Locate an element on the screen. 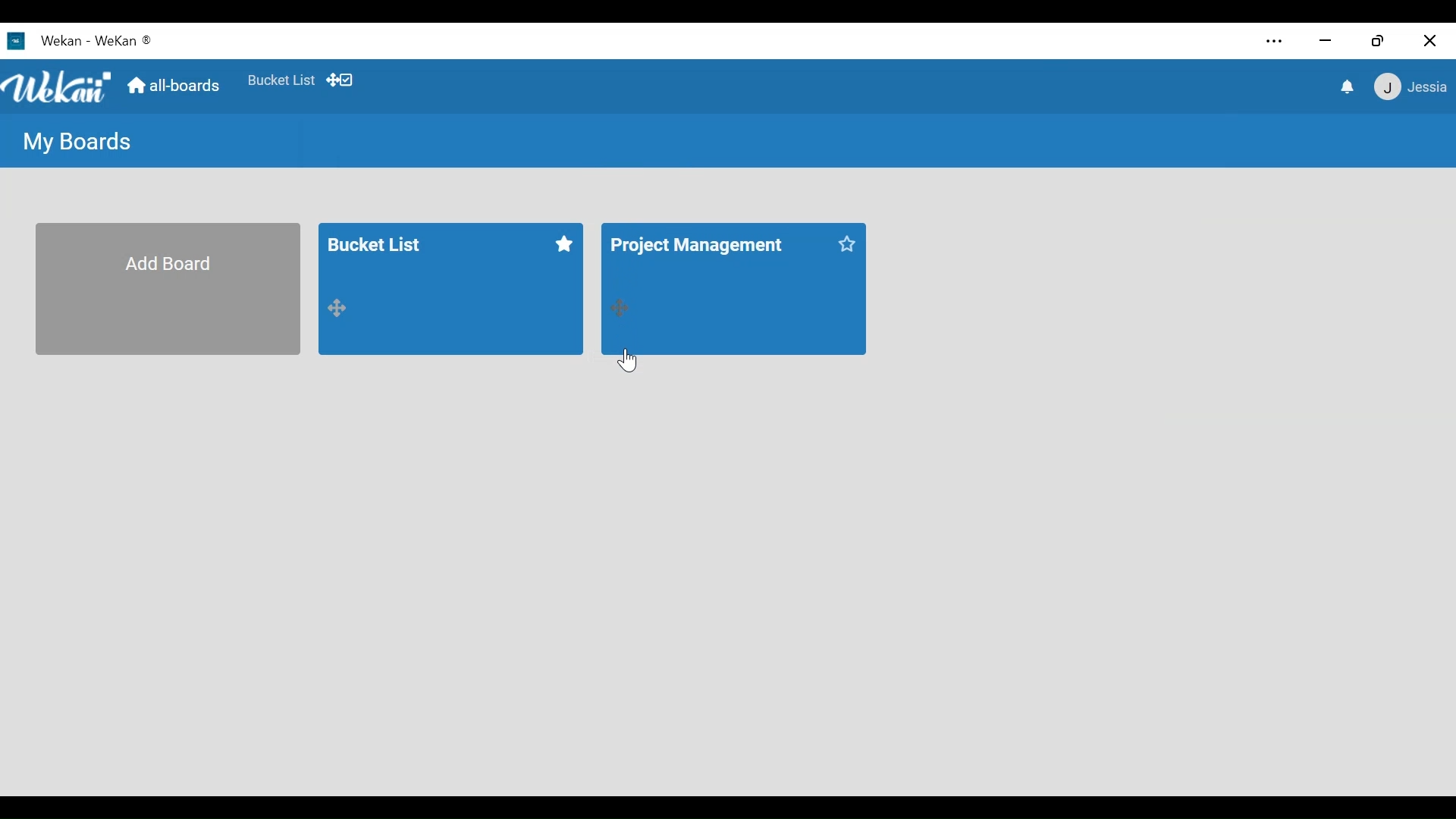  Wekan Desktop icon is located at coordinates (80, 43).